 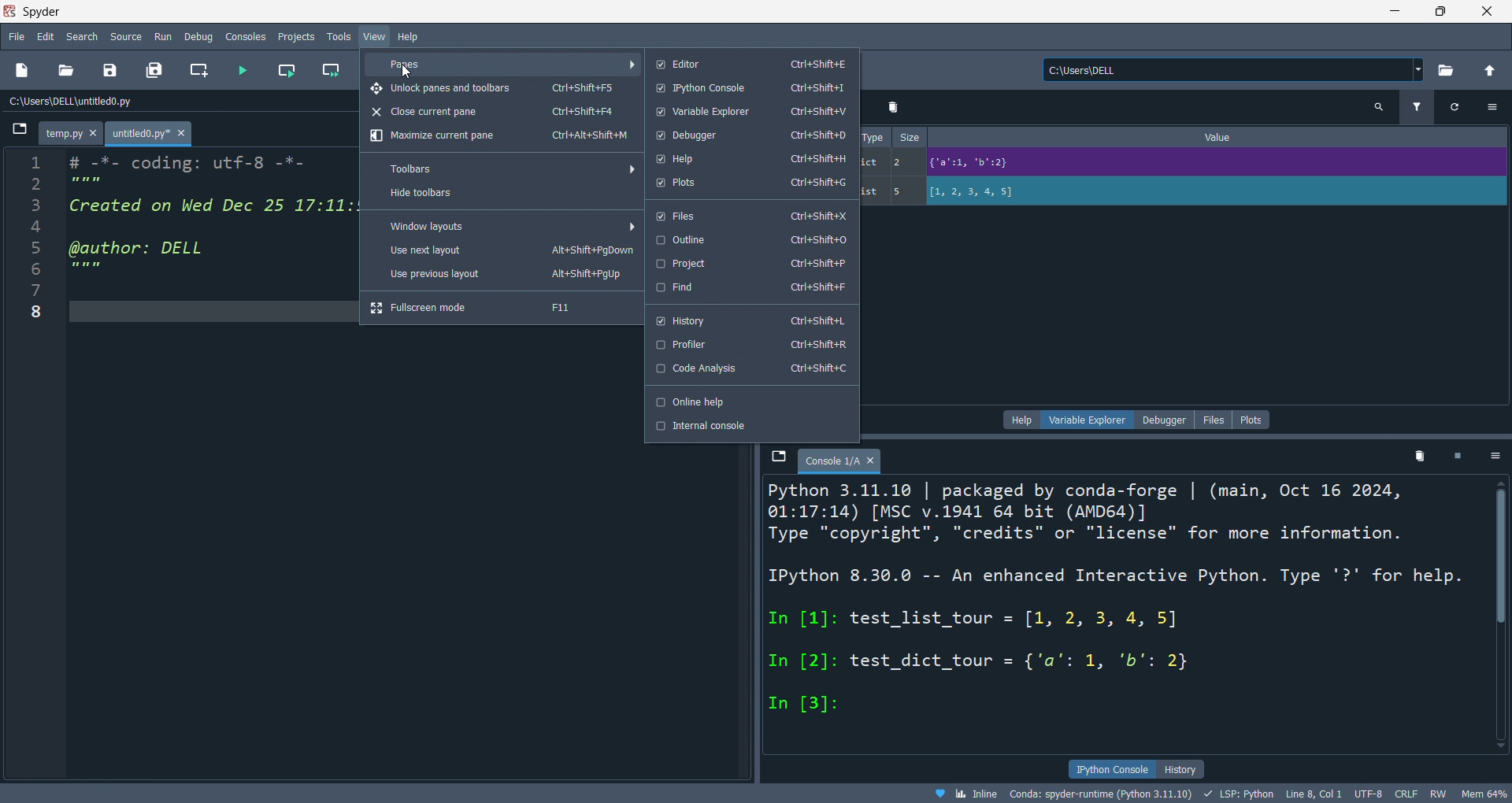 What do you see at coordinates (91, 102) in the screenshot?
I see `C:\Users\DELL\untitled0.py` at bounding box center [91, 102].